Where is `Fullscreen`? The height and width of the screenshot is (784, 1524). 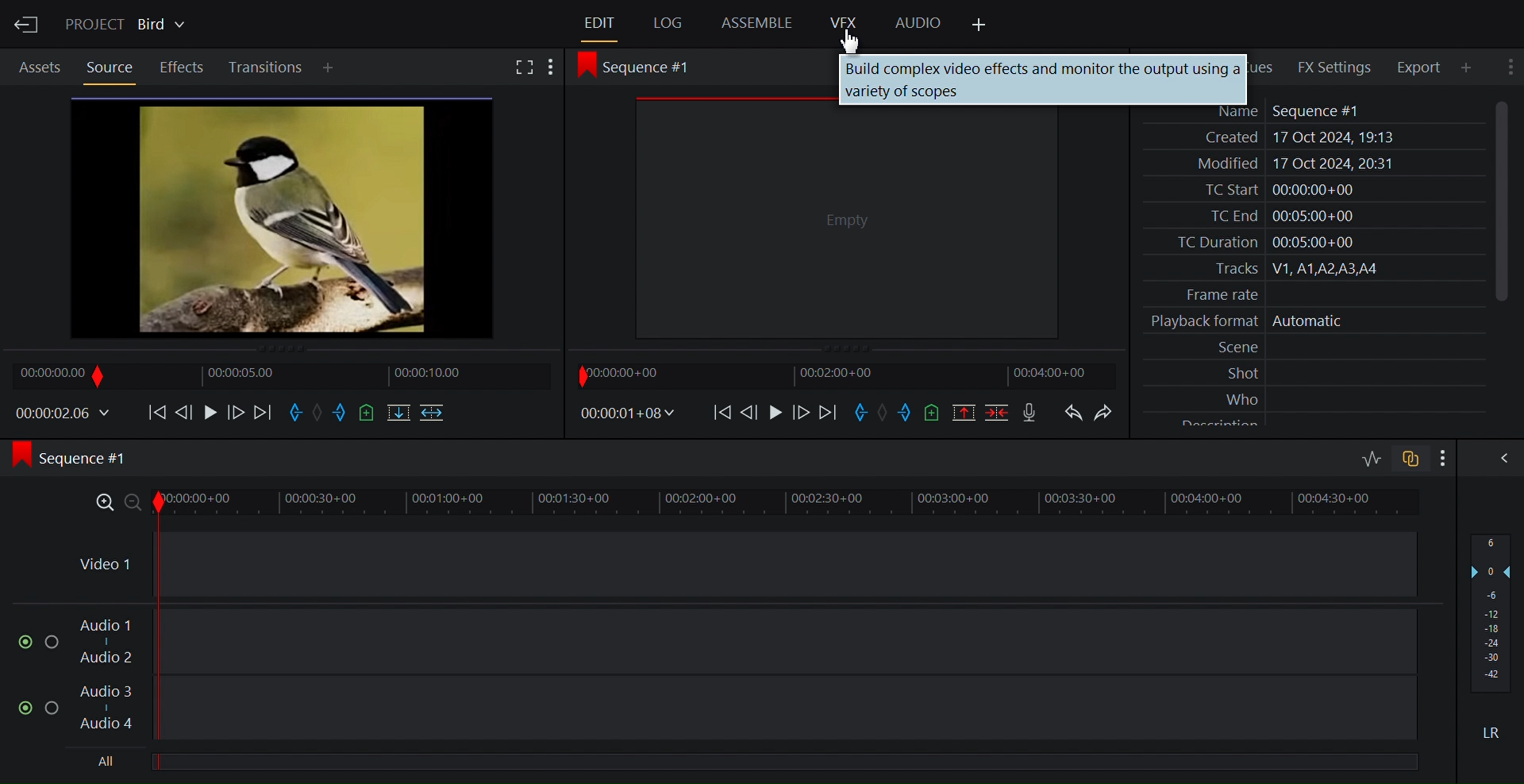 Fullscreen is located at coordinates (521, 67).